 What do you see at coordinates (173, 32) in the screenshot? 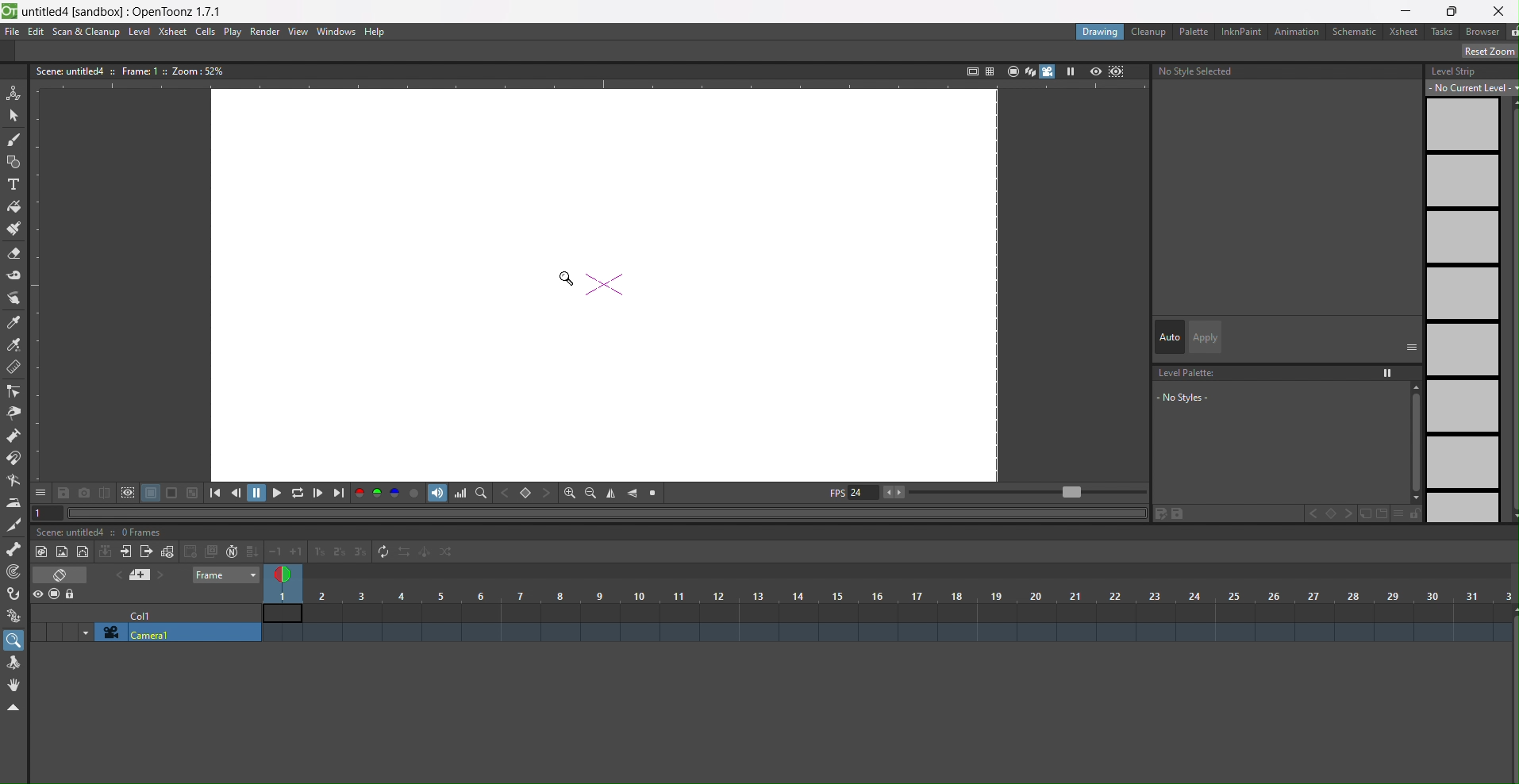
I see `xsheet` at bounding box center [173, 32].